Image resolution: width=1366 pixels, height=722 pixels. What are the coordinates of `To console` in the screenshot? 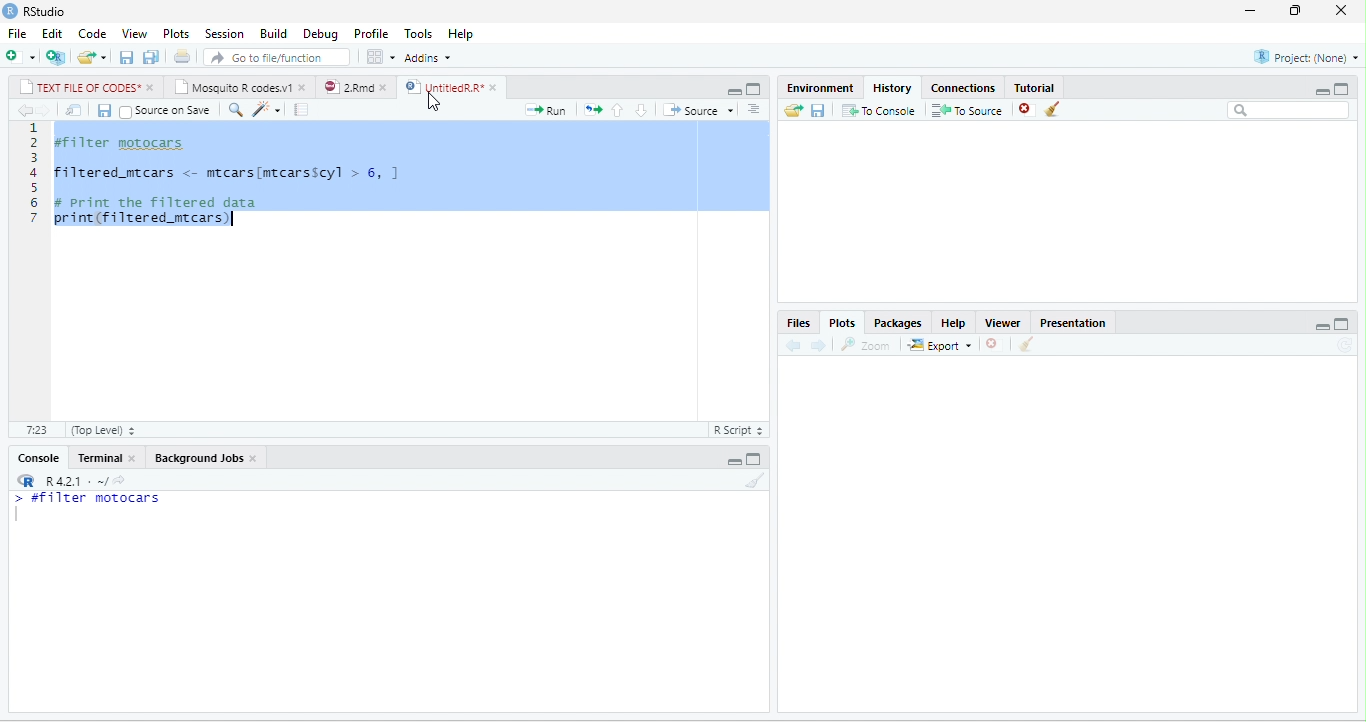 It's located at (879, 110).